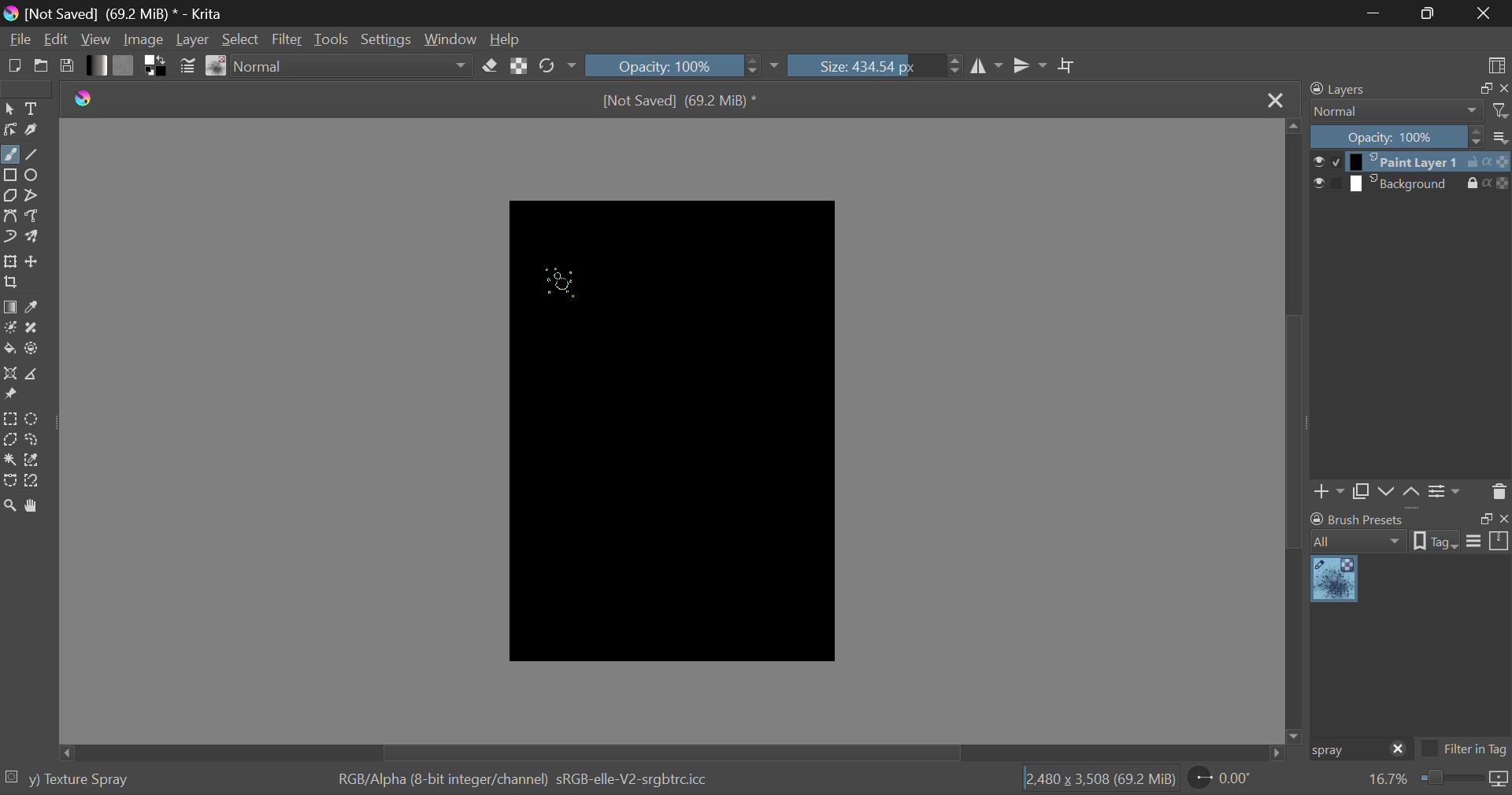  I want to click on Transform Layer, so click(10, 261).